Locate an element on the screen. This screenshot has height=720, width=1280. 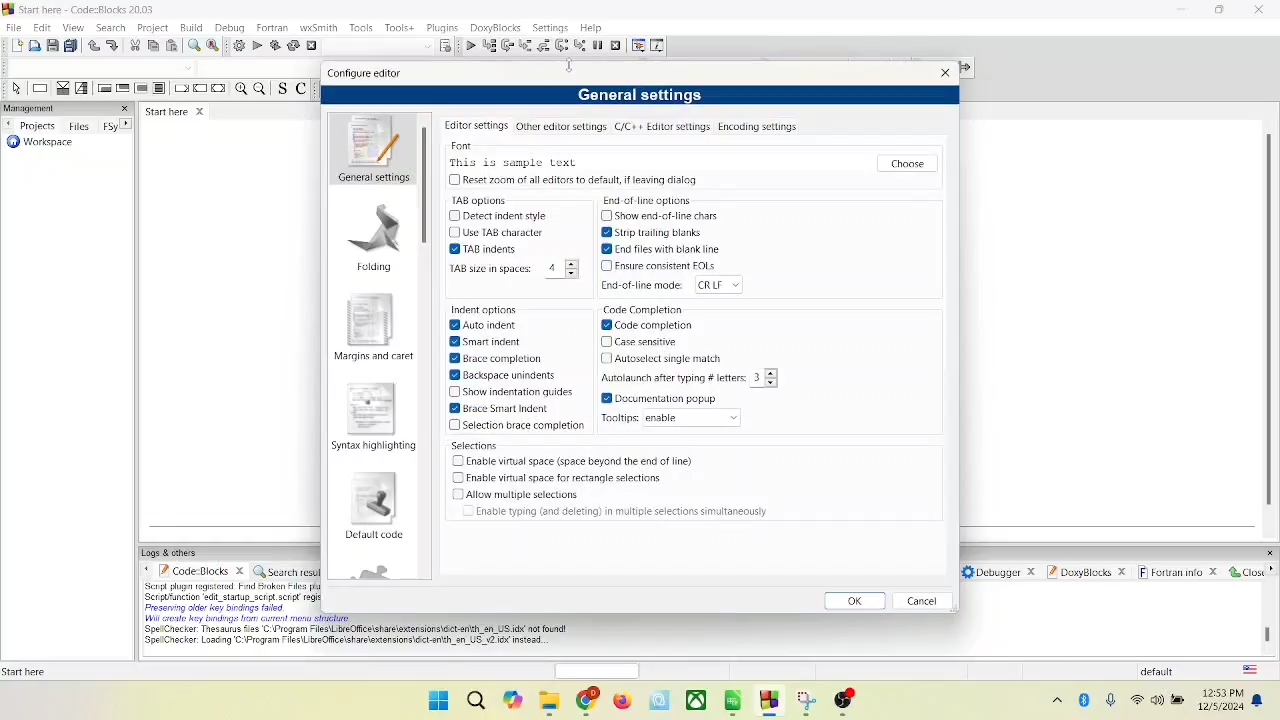
enable virtual space is located at coordinates (579, 462).